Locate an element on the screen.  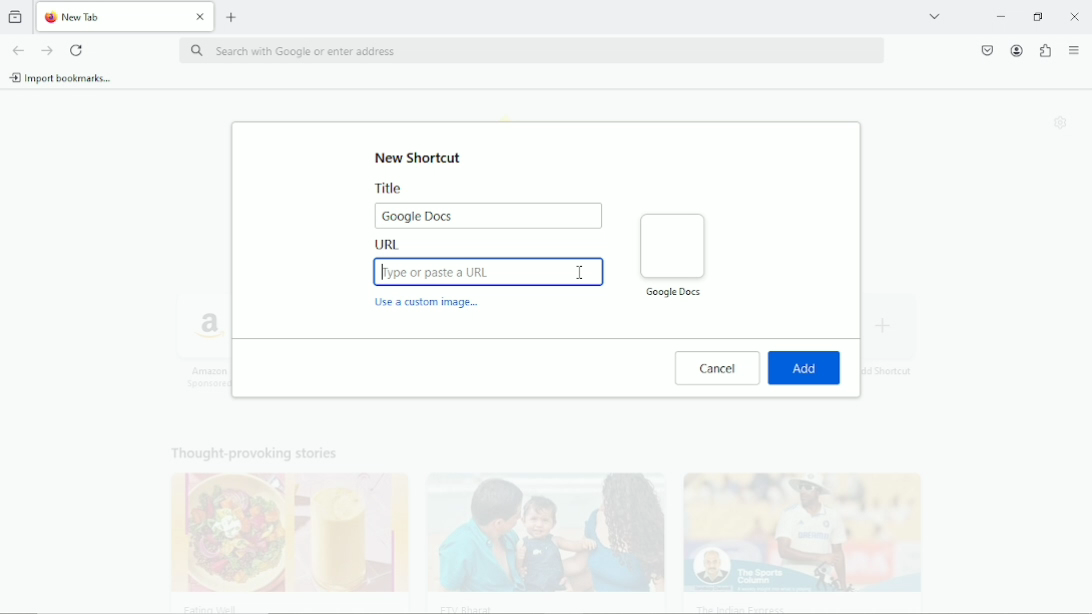
Use a custom image is located at coordinates (429, 305).